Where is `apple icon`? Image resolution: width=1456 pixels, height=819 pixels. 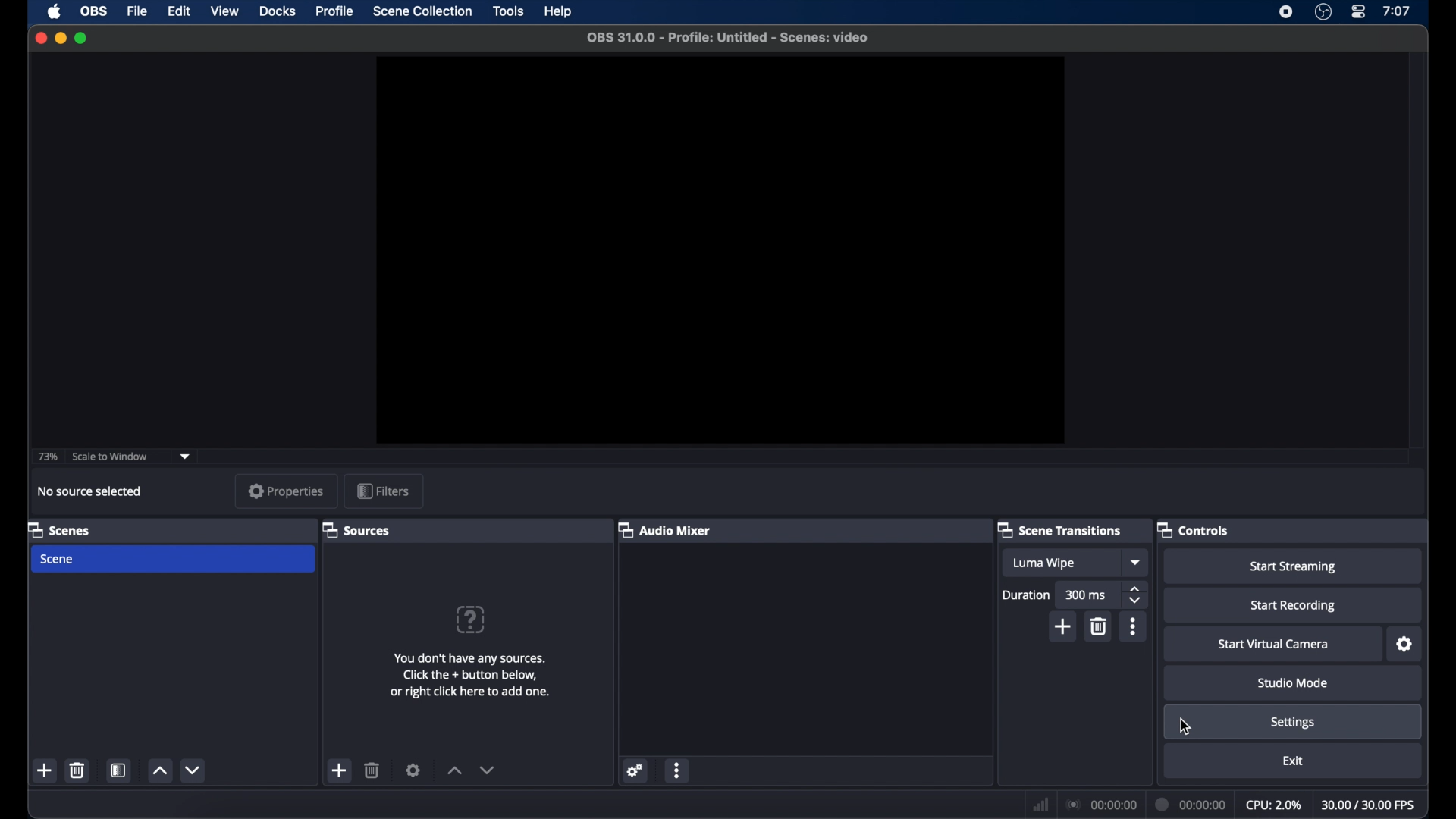
apple icon is located at coordinates (54, 11).